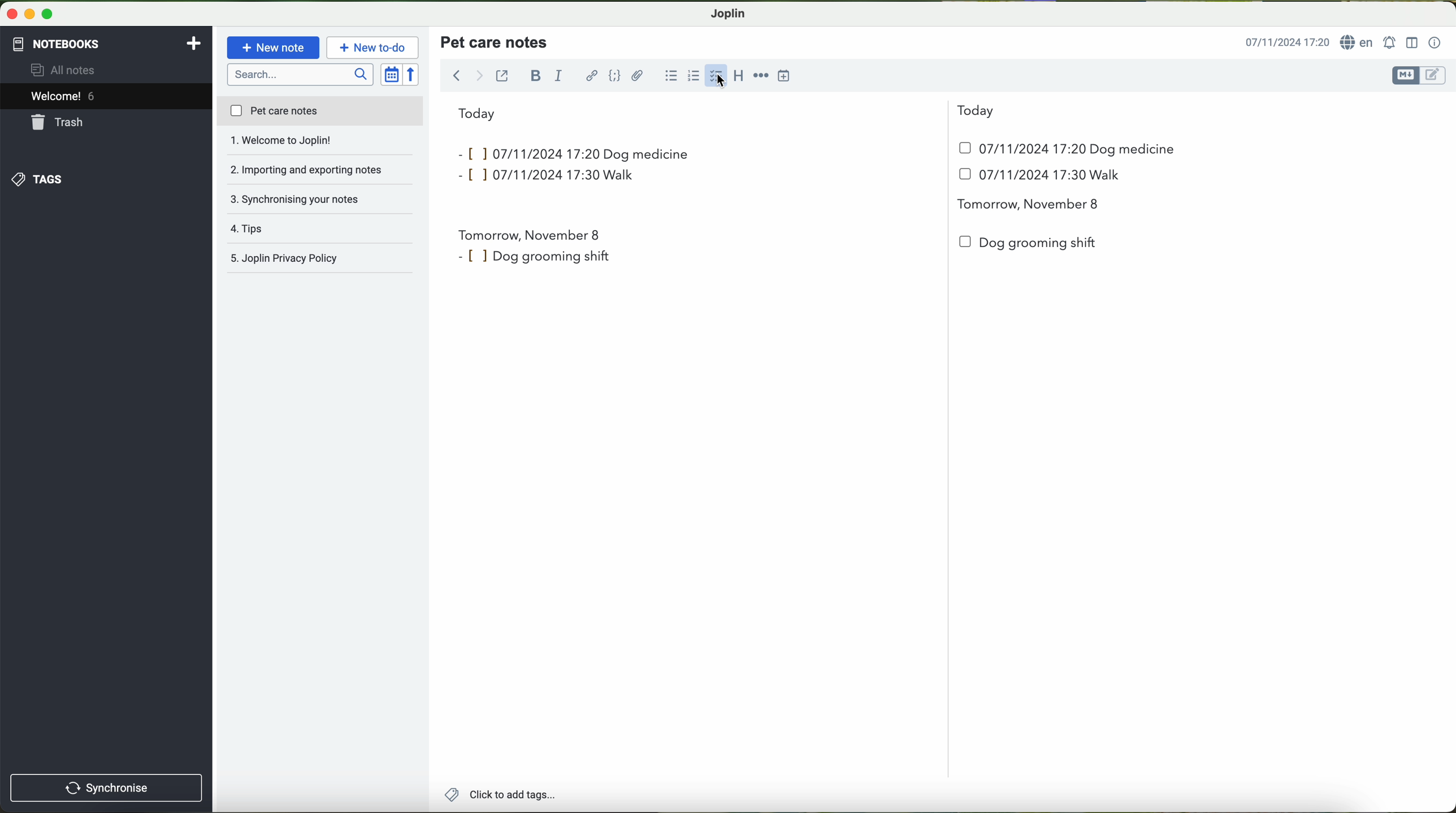 Image resolution: width=1456 pixels, height=813 pixels. Describe the element at coordinates (466, 75) in the screenshot. I see `navigation arrows` at that location.